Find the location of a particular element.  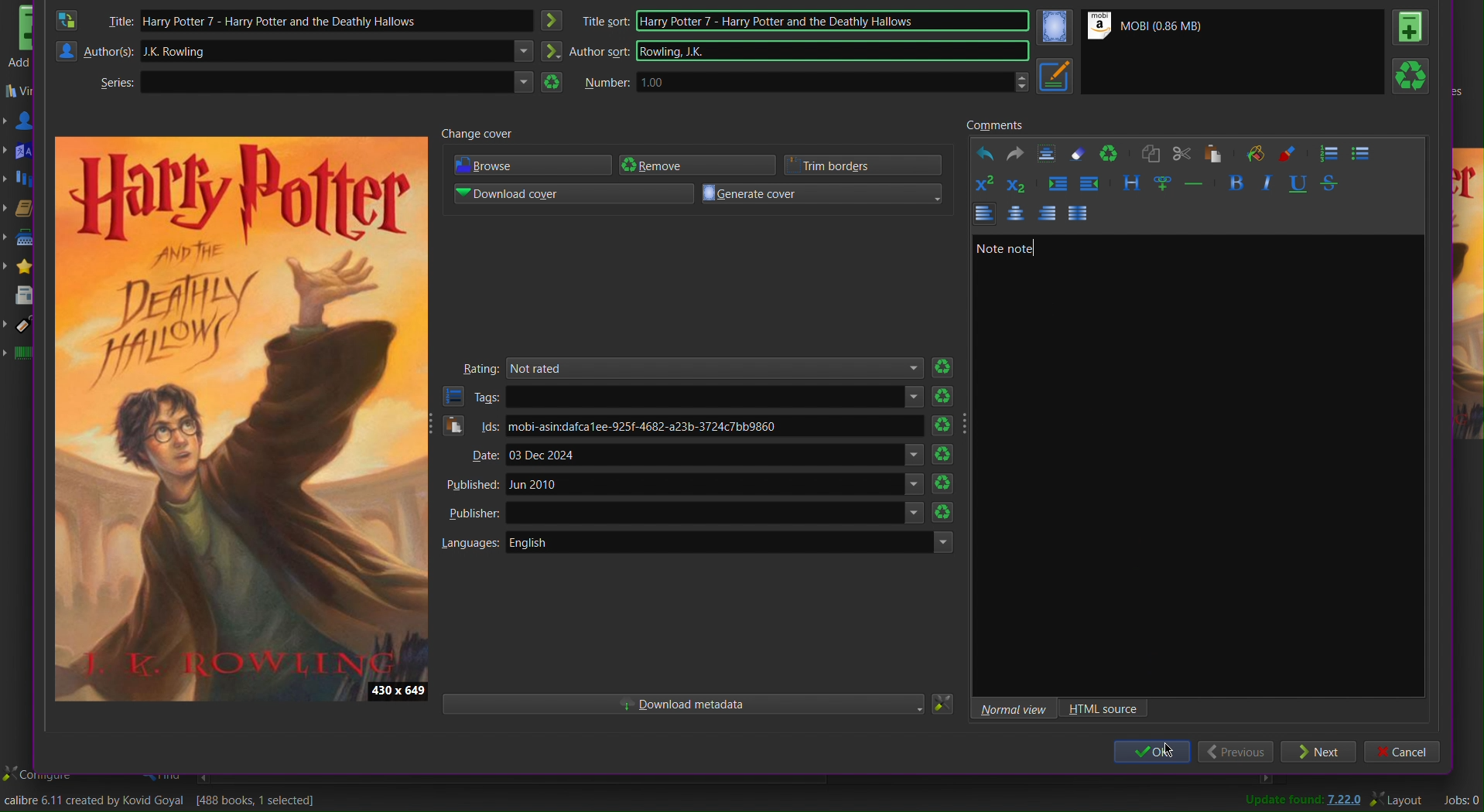

Add books is located at coordinates (20, 38).